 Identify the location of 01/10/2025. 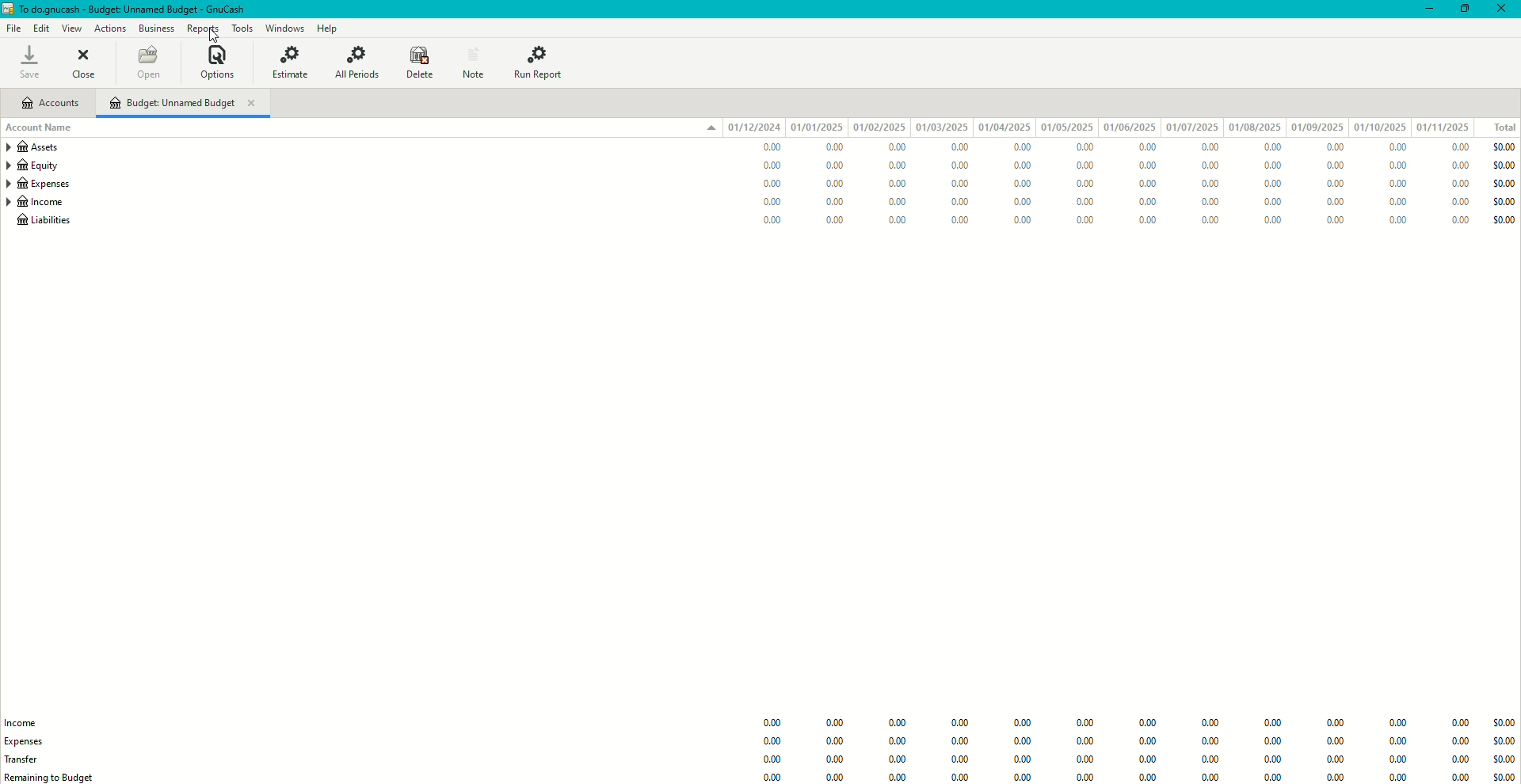
(1379, 127).